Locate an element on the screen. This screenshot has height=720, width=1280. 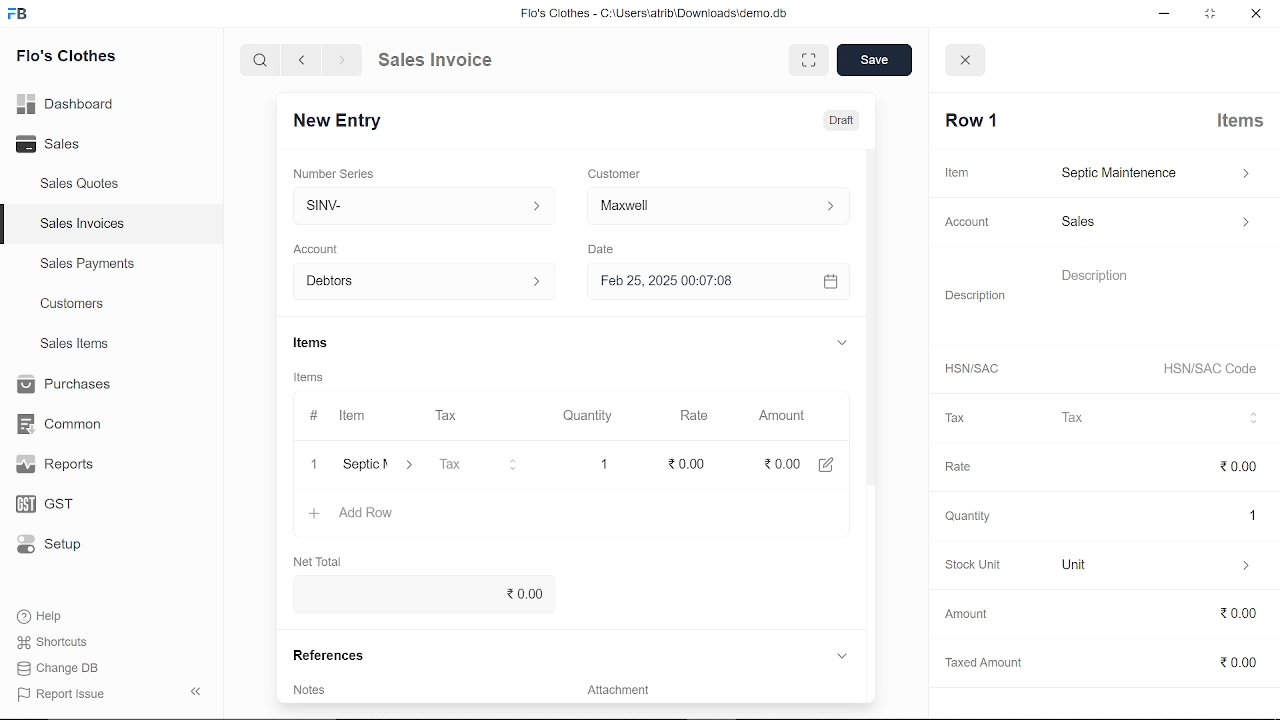
Rate is located at coordinates (954, 464).